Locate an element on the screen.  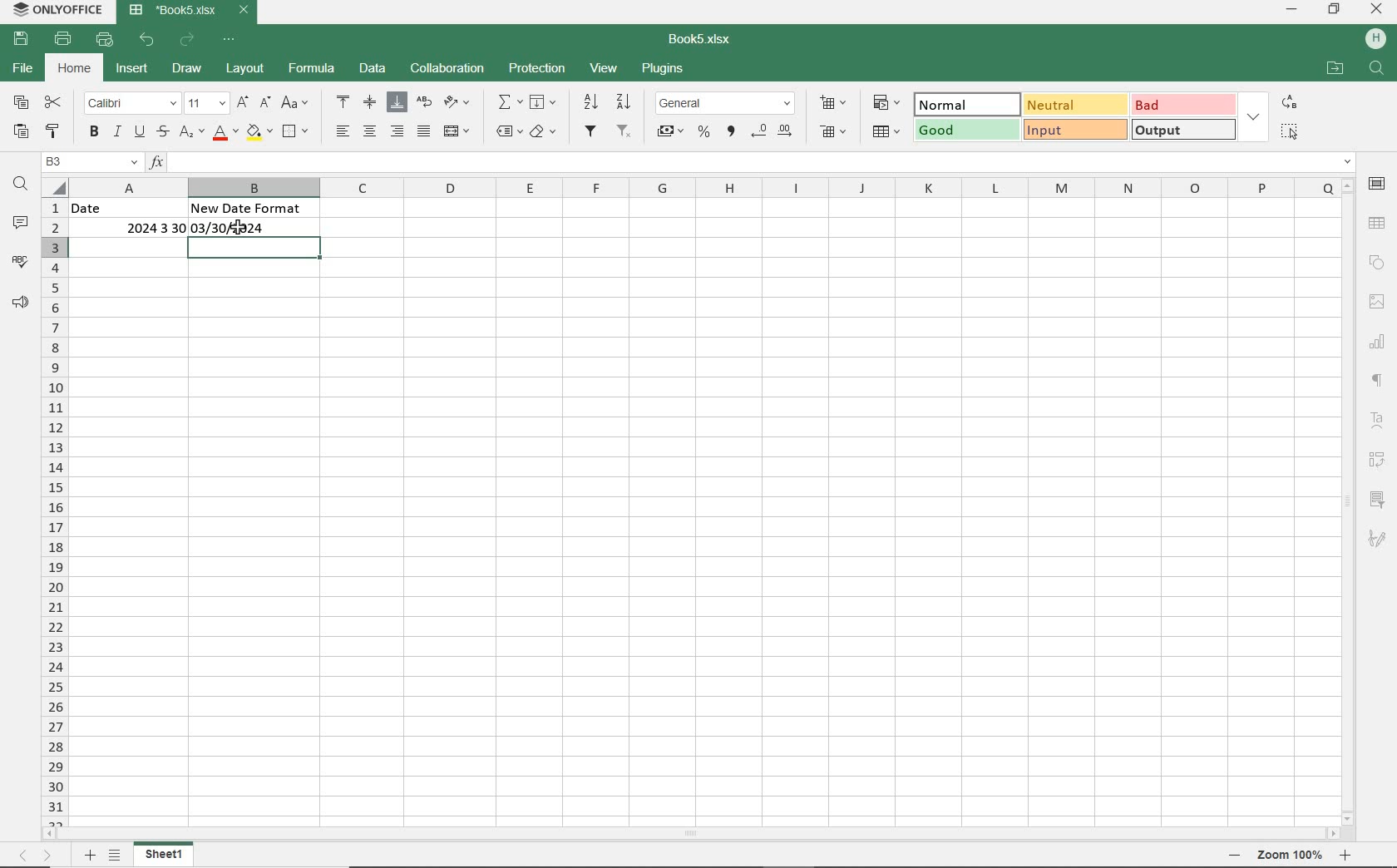
TABLE is located at coordinates (1377, 223).